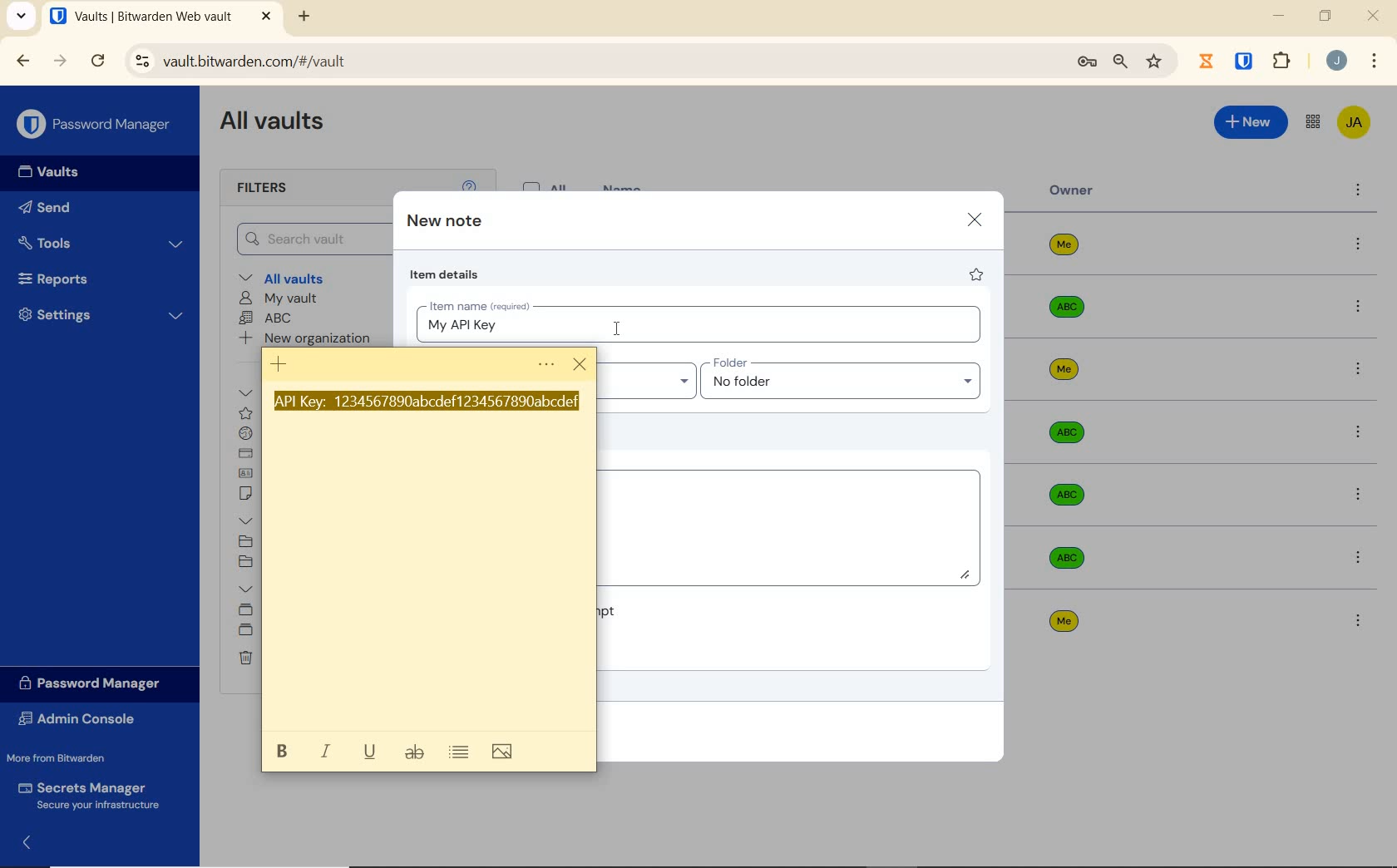 This screenshot has height=868, width=1397. I want to click on Default collection, so click(245, 611).